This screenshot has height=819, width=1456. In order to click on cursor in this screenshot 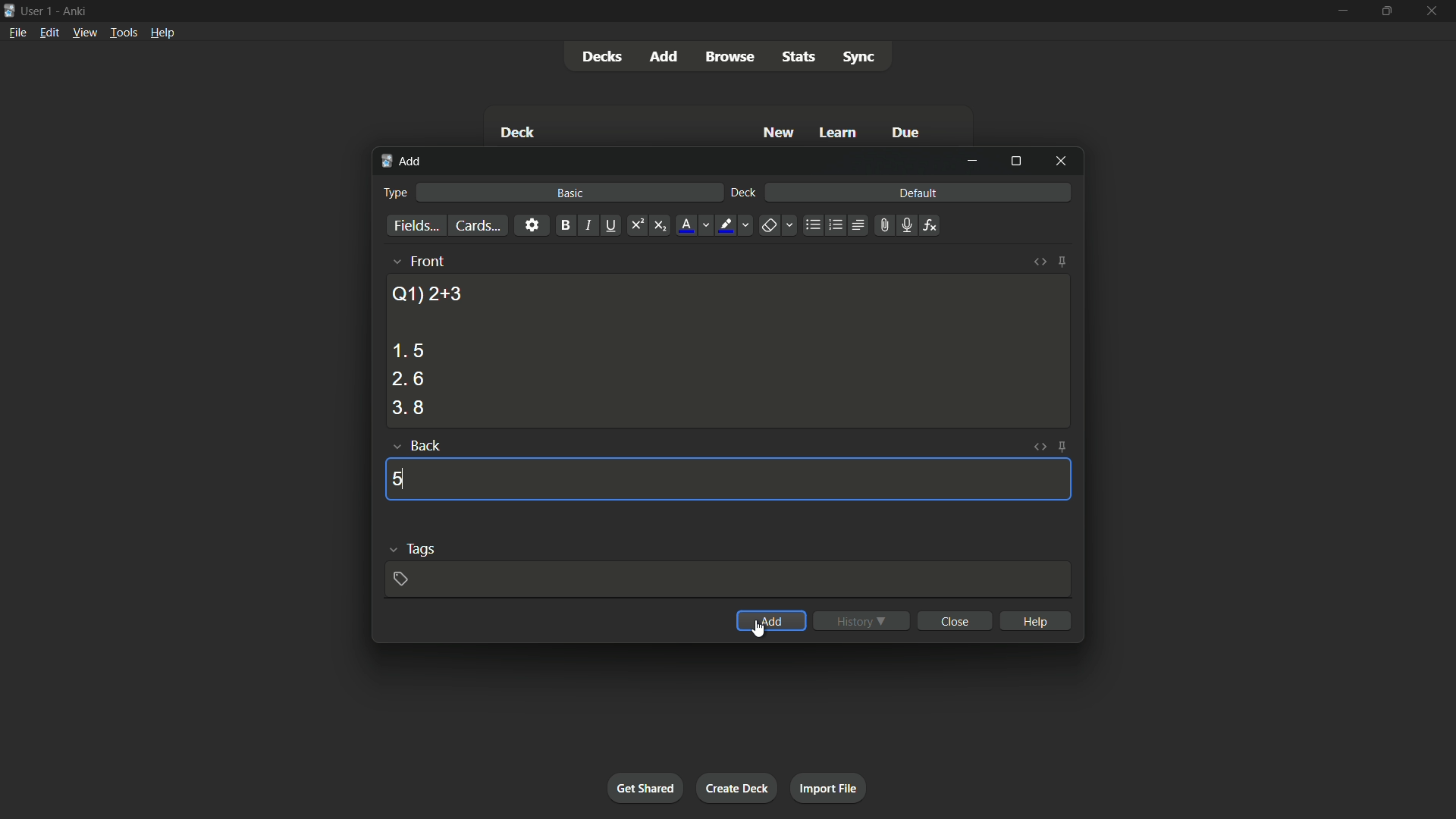, I will do `click(762, 629)`.